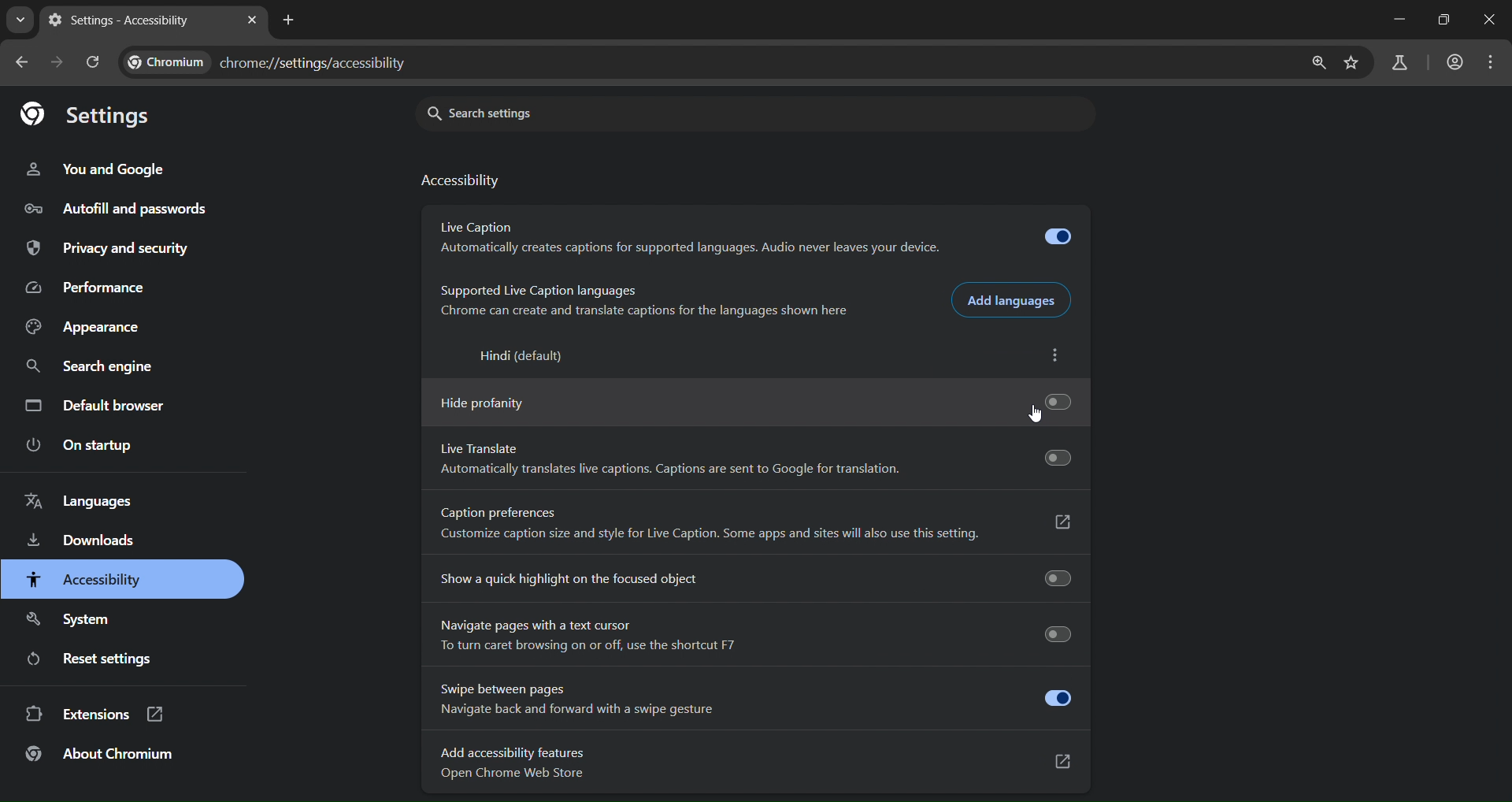  What do you see at coordinates (93, 714) in the screenshot?
I see `extensions` at bounding box center [93, 714].